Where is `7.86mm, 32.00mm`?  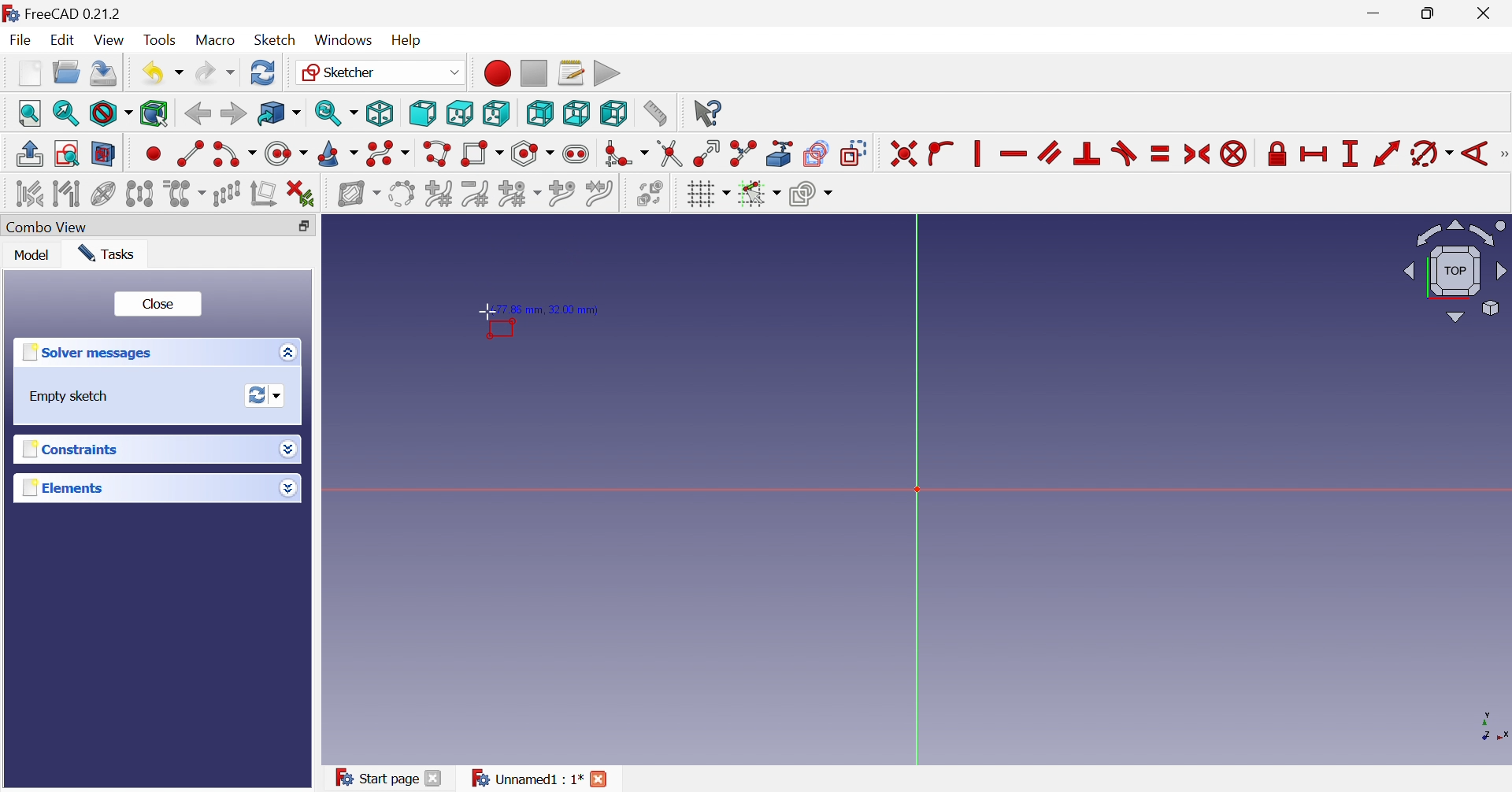
7.86mm, 32.00mm is located at coordinates (552, 310).